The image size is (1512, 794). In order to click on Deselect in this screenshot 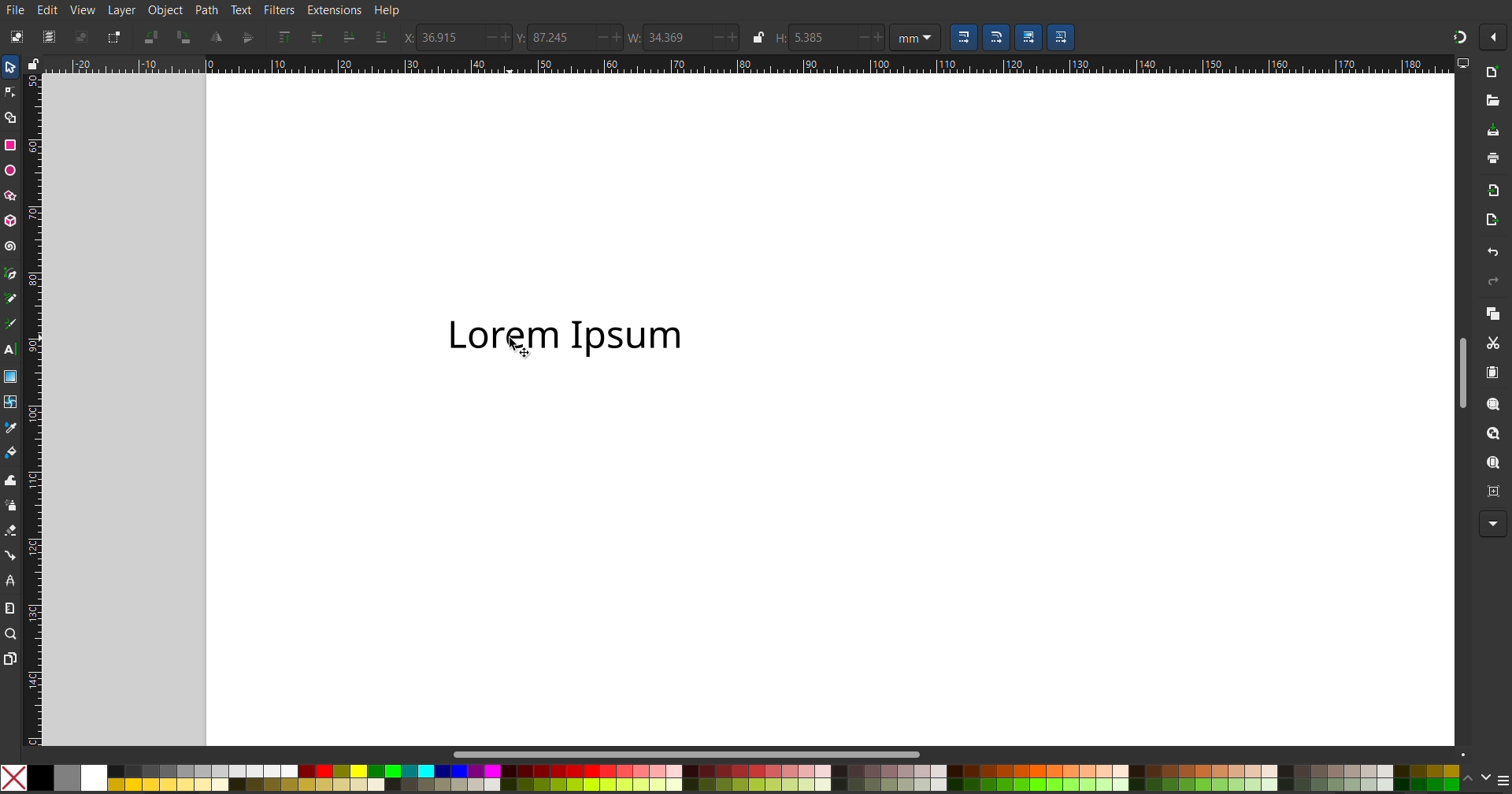, I will do `click(82, 38)`.